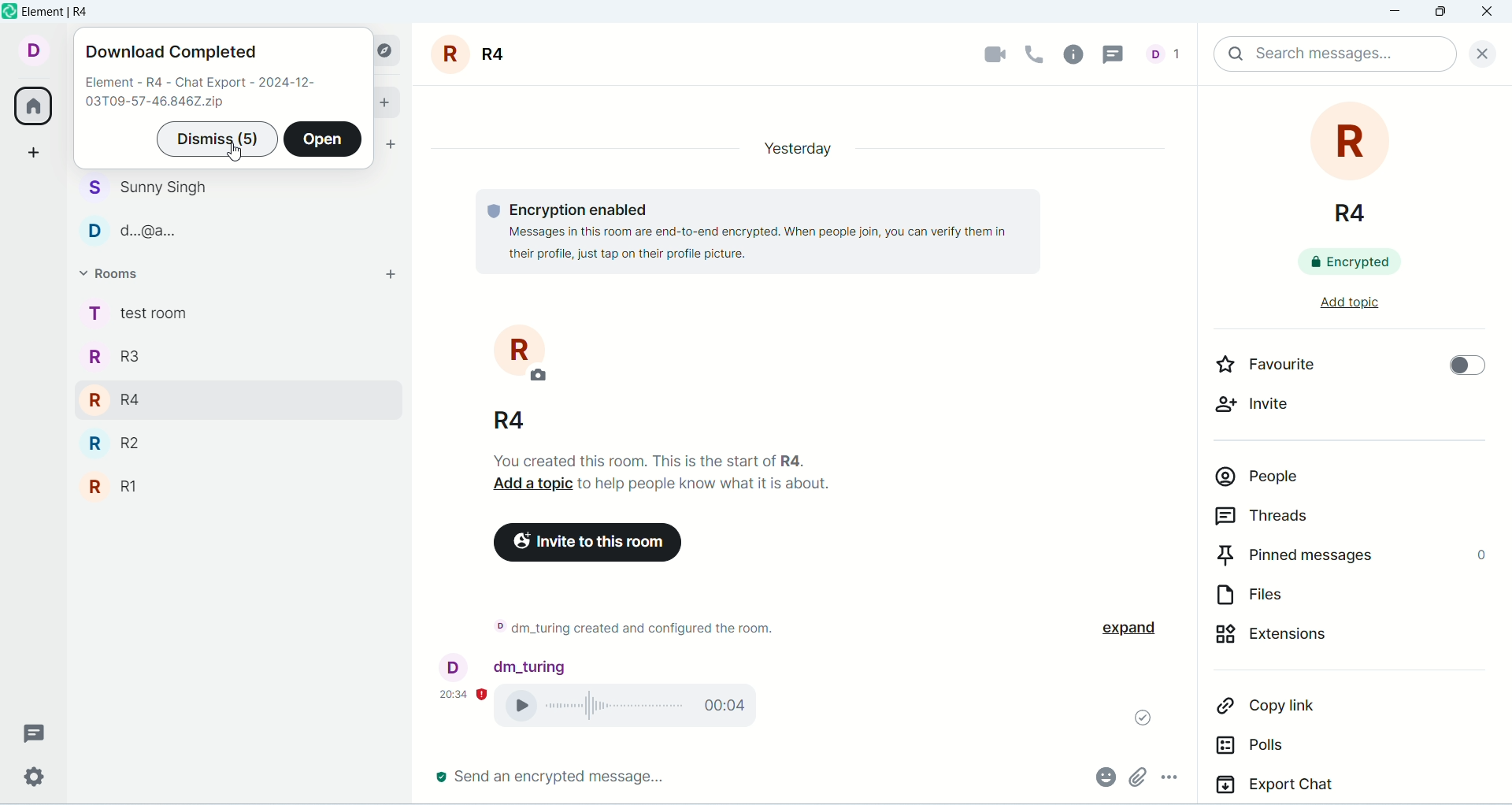 The height and width of the screenshot is (805, 1512). What do you see at coordinates (1301, 751) in the screenshot?
I see `polls` at bounding box center [1301, 751].